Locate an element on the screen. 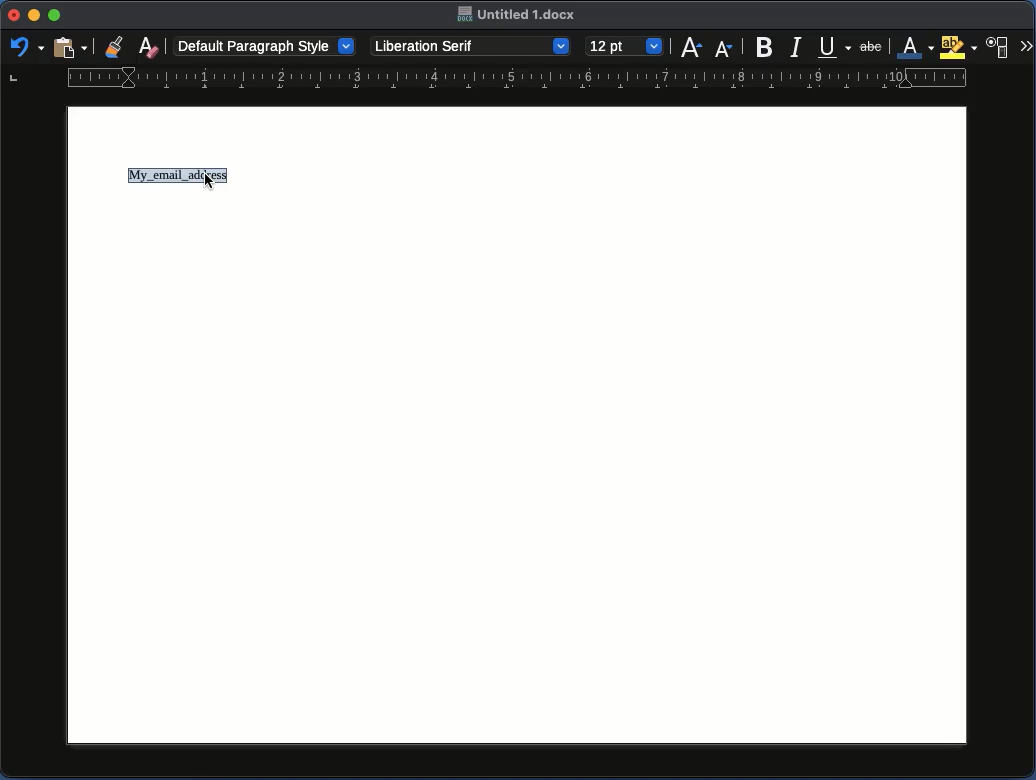  Minimize is located at coordinates (34, 16).